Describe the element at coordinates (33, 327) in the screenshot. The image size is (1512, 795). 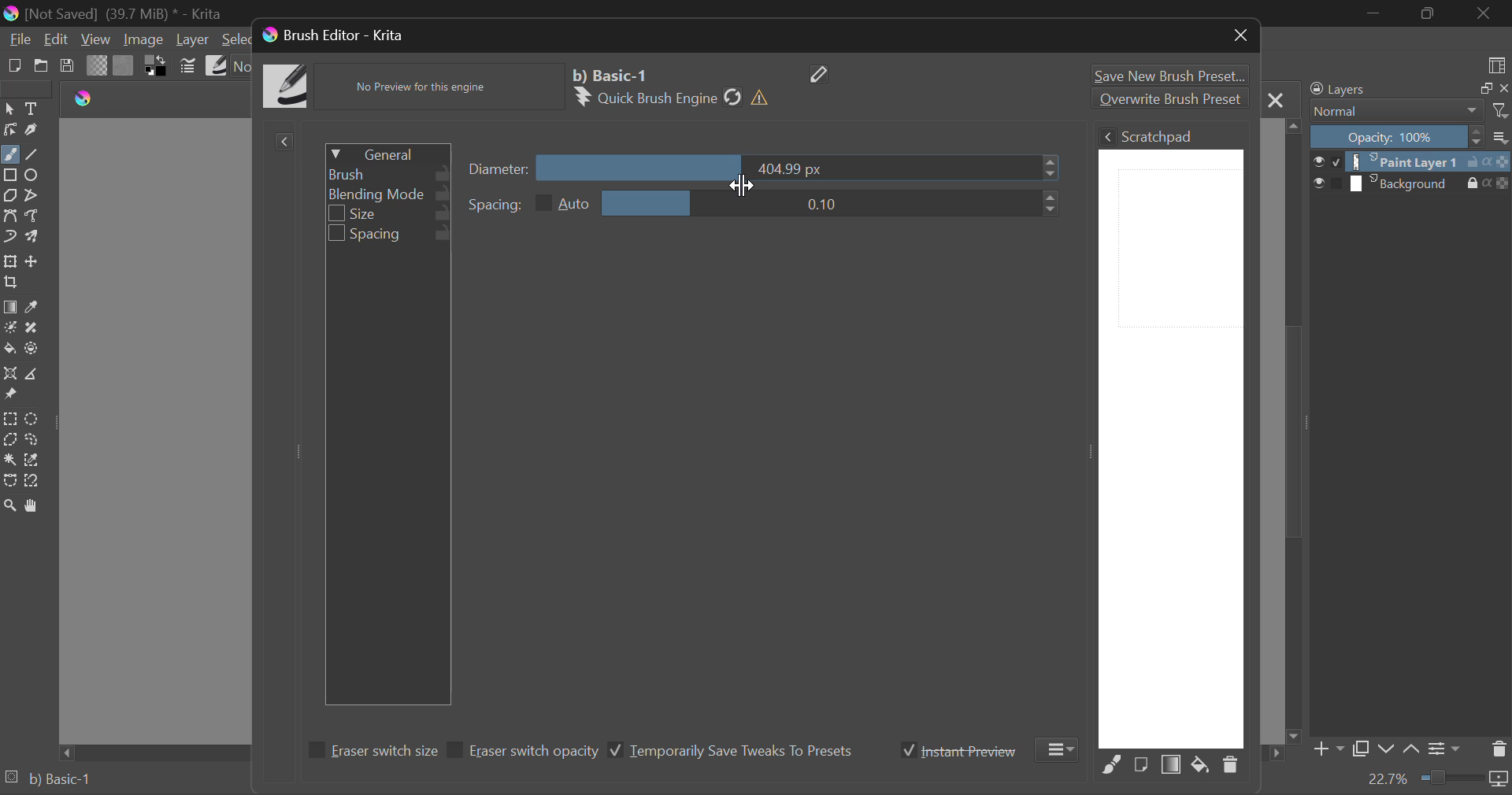
I see `Smart Patch Tool` at that location.